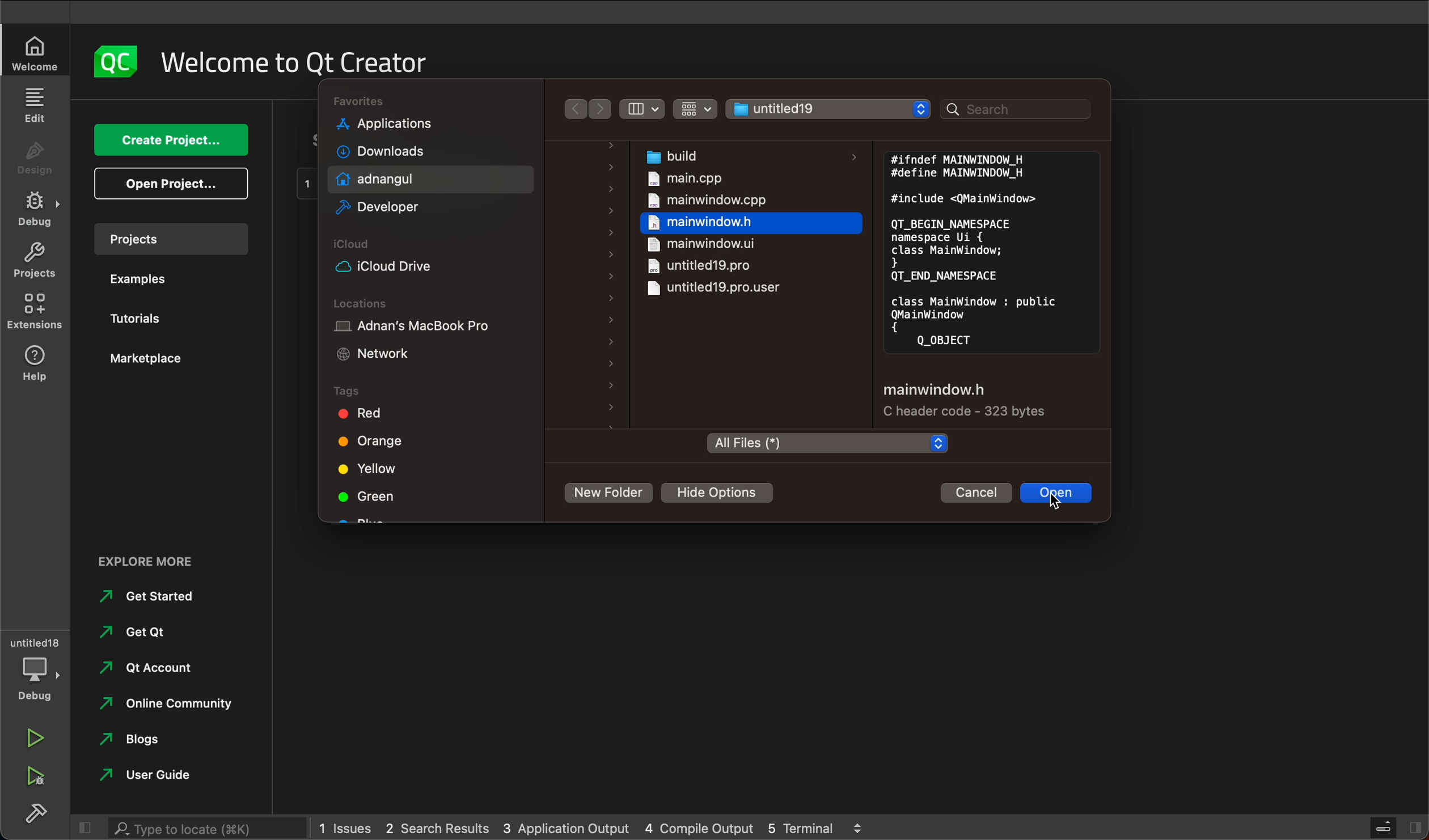 This screenshot has width=1429, height=840. What do you see at coordinates (37, 311) in the screenshot?
I see `extensions` at bounding box center [37, 311].